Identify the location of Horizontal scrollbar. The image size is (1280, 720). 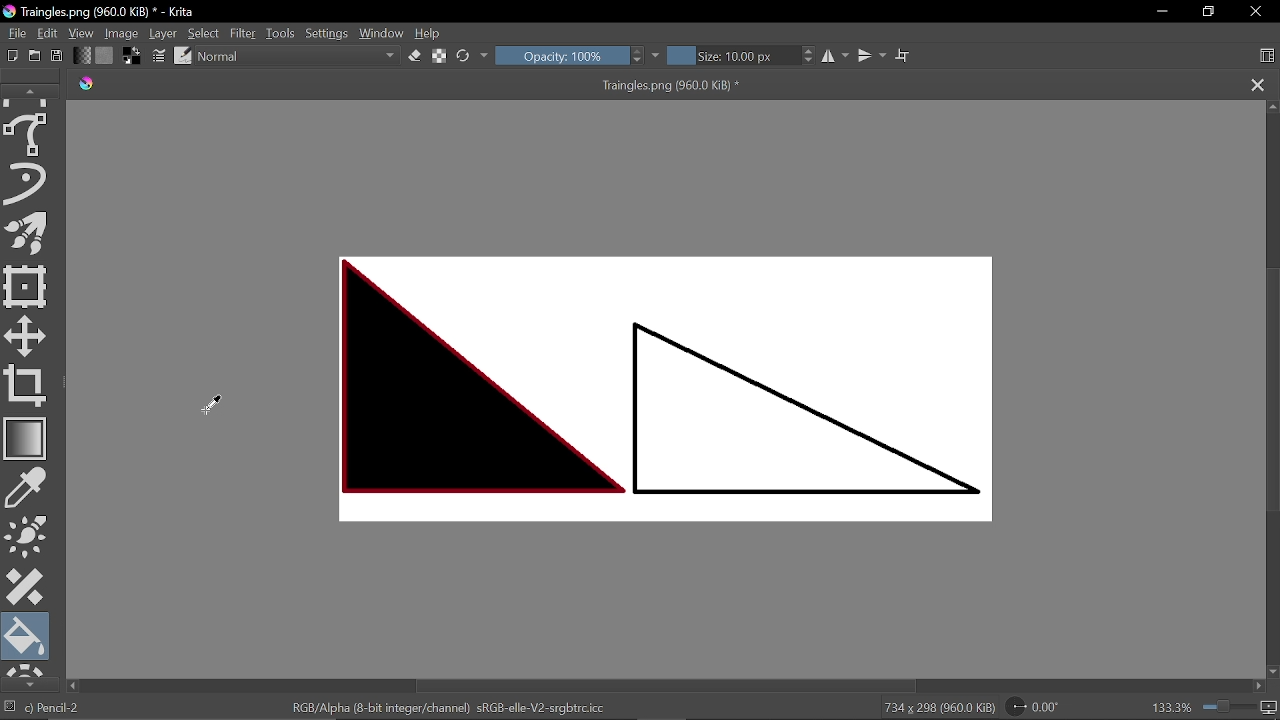
(660, 687).